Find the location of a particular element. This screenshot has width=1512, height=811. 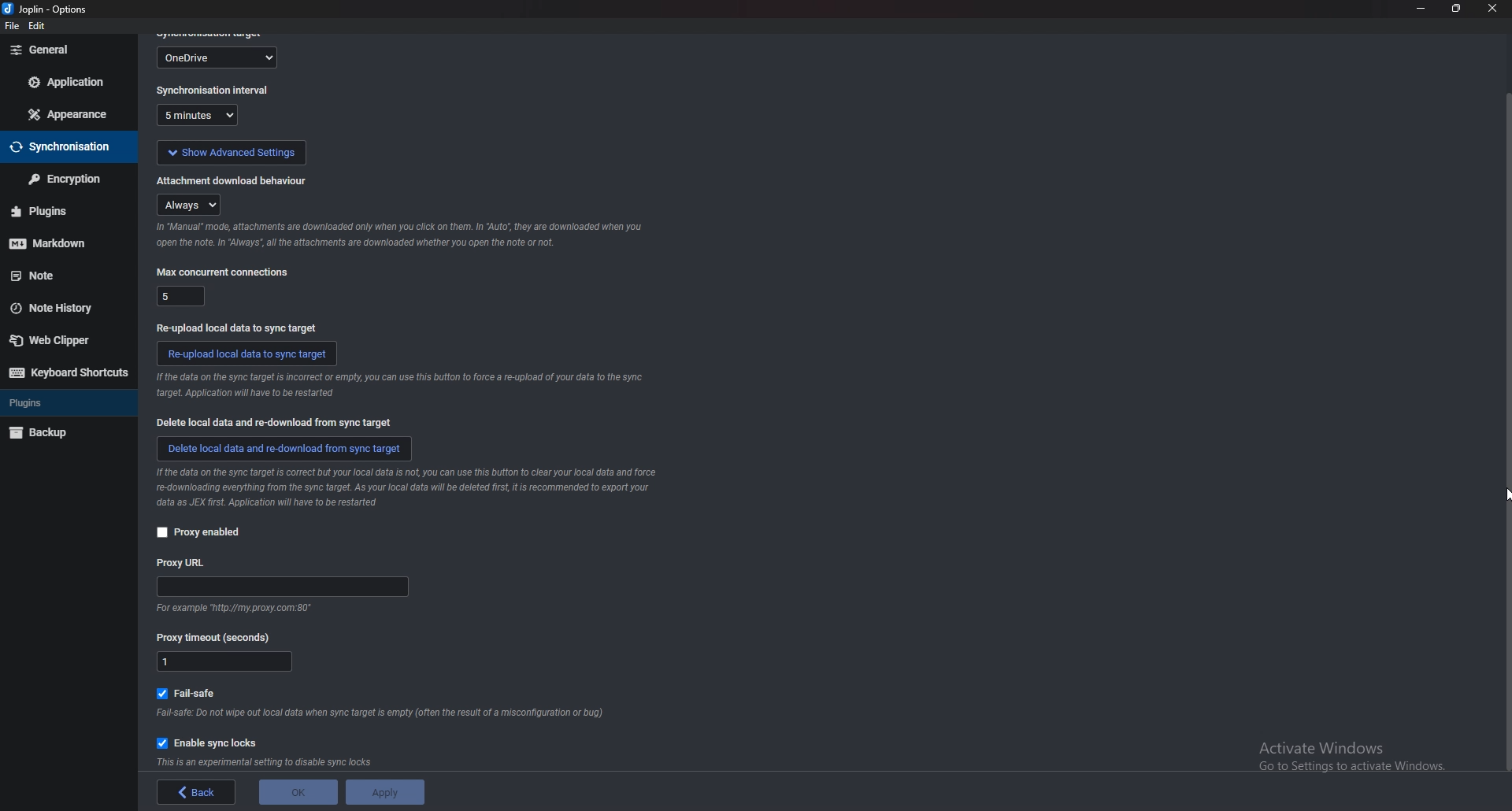

sync is located at coordinates (64, 148).